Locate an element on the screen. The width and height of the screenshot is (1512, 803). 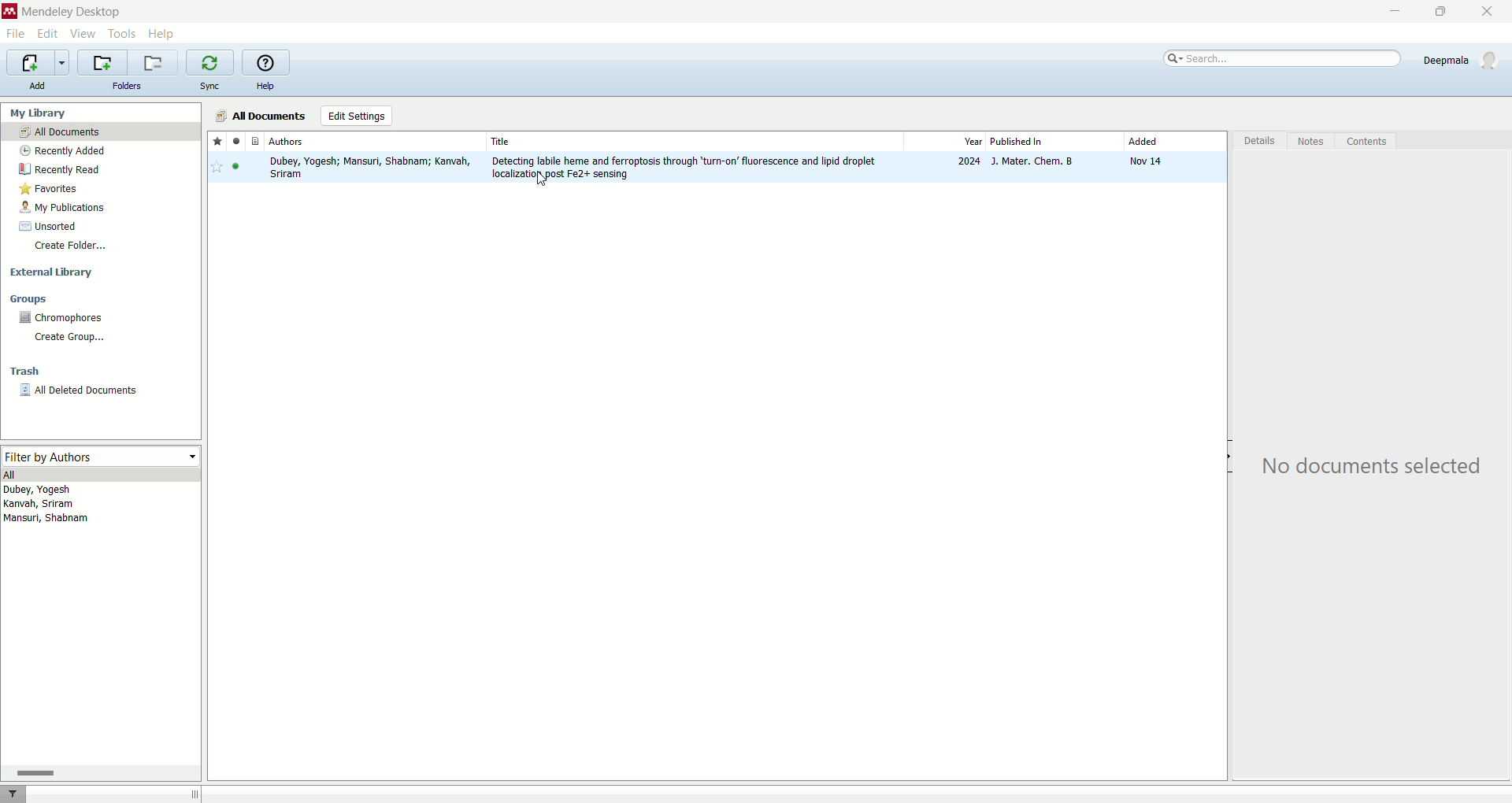
minimize is located at coordinates (1391, 13).